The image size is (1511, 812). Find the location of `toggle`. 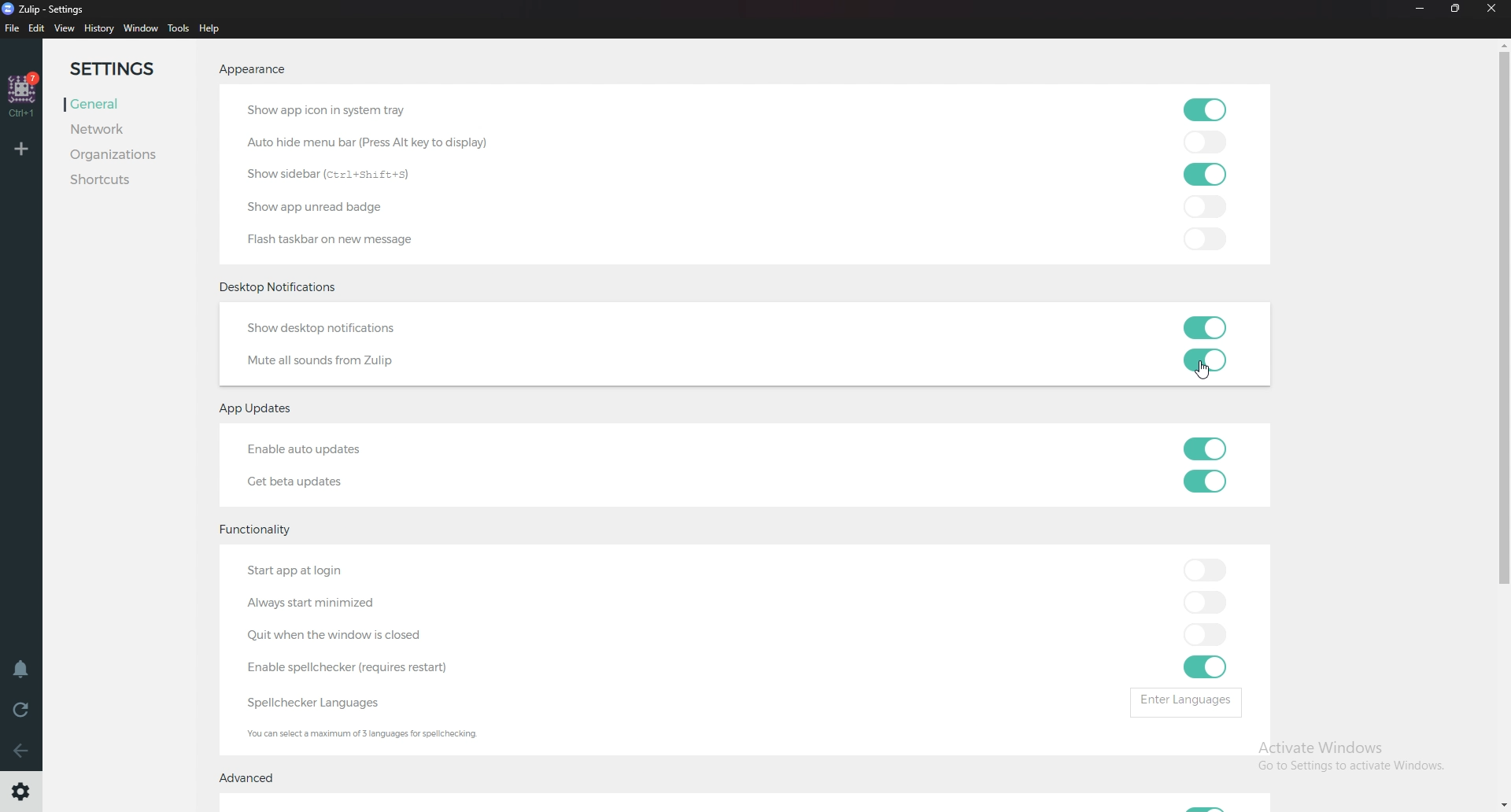

toggle is located at coordinates (1206, 329).